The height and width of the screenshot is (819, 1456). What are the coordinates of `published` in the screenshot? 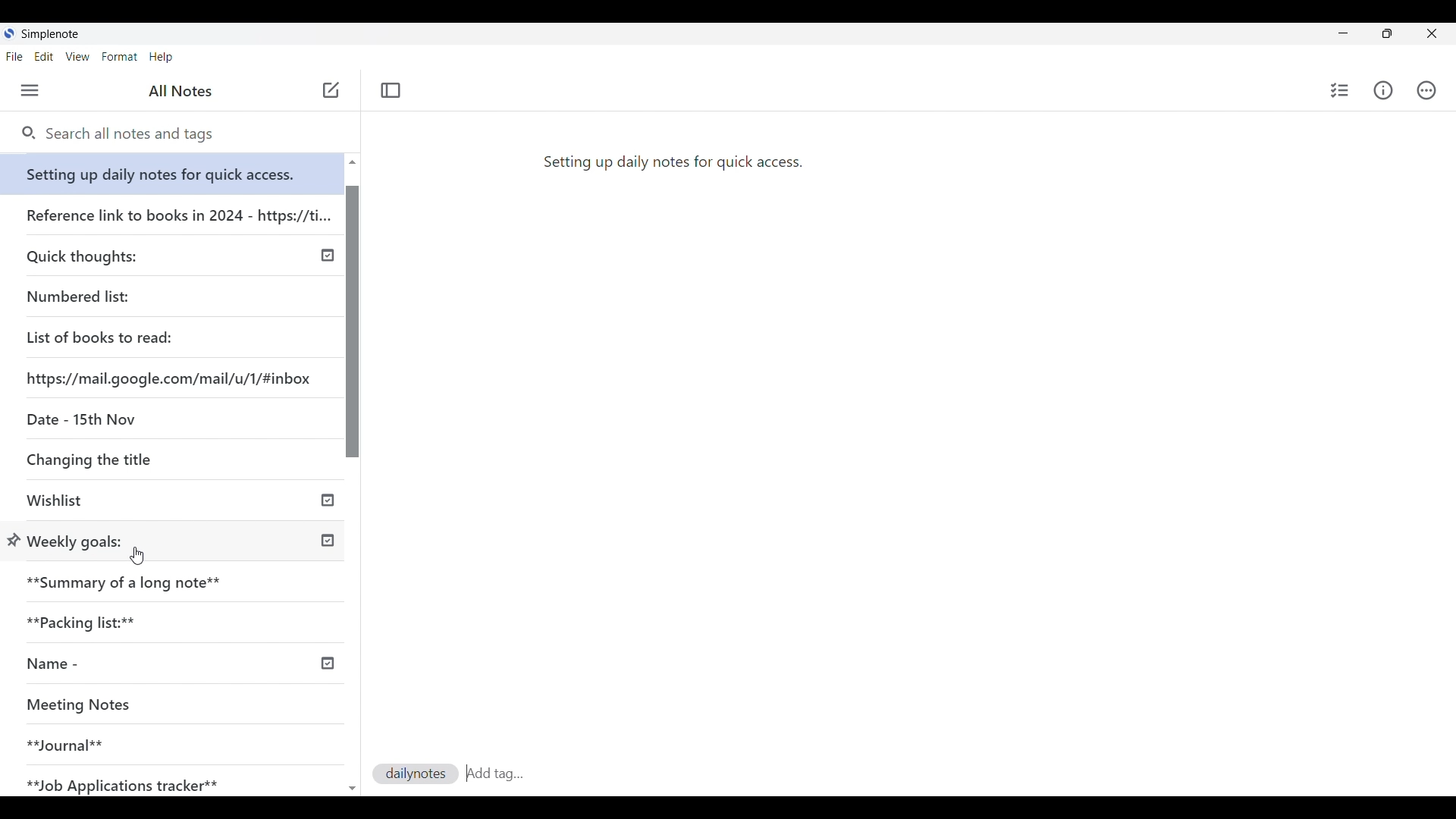 It's located at (328, 502).